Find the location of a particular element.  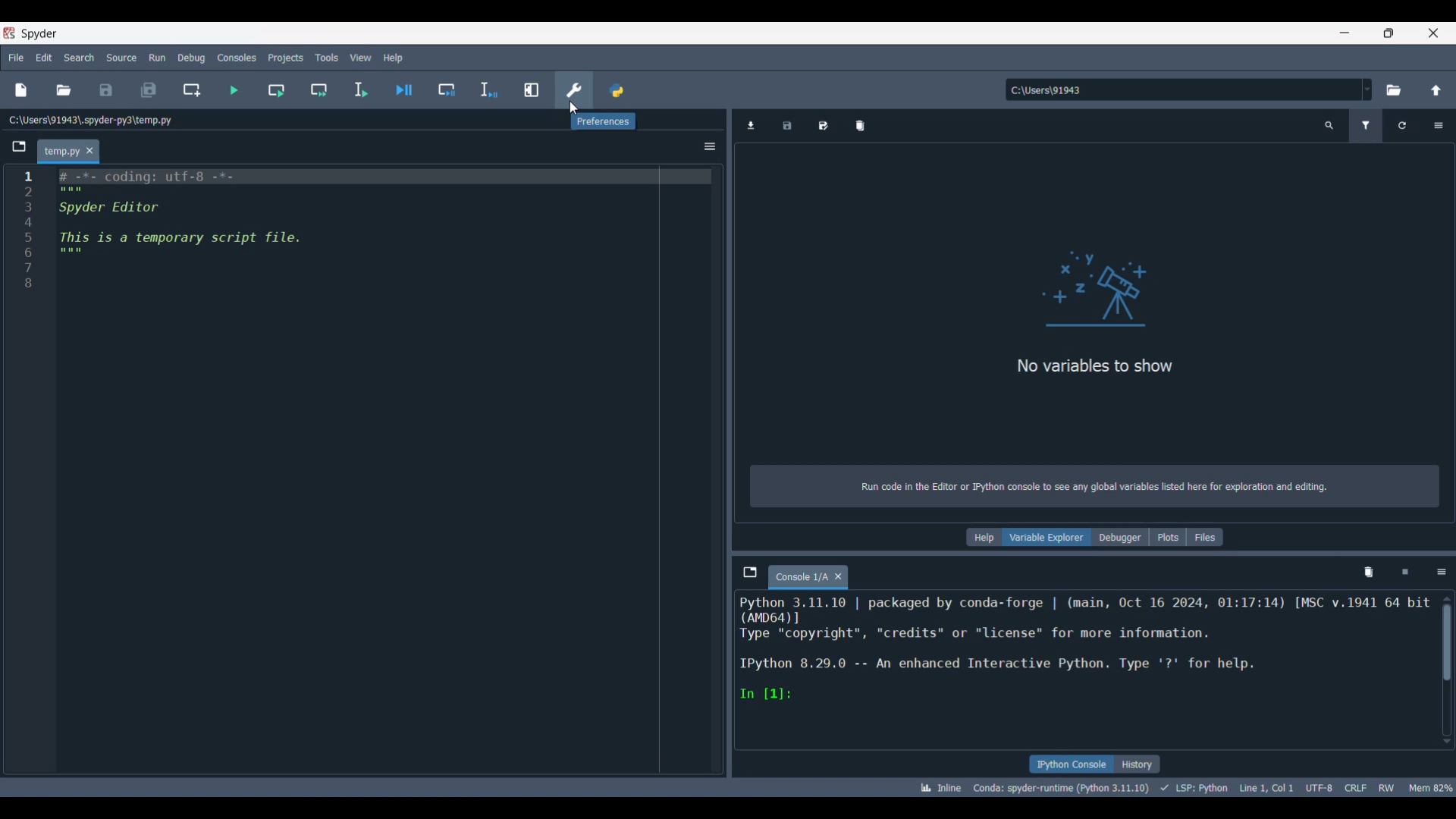

Debugger is located at coordinates (1120, 537).